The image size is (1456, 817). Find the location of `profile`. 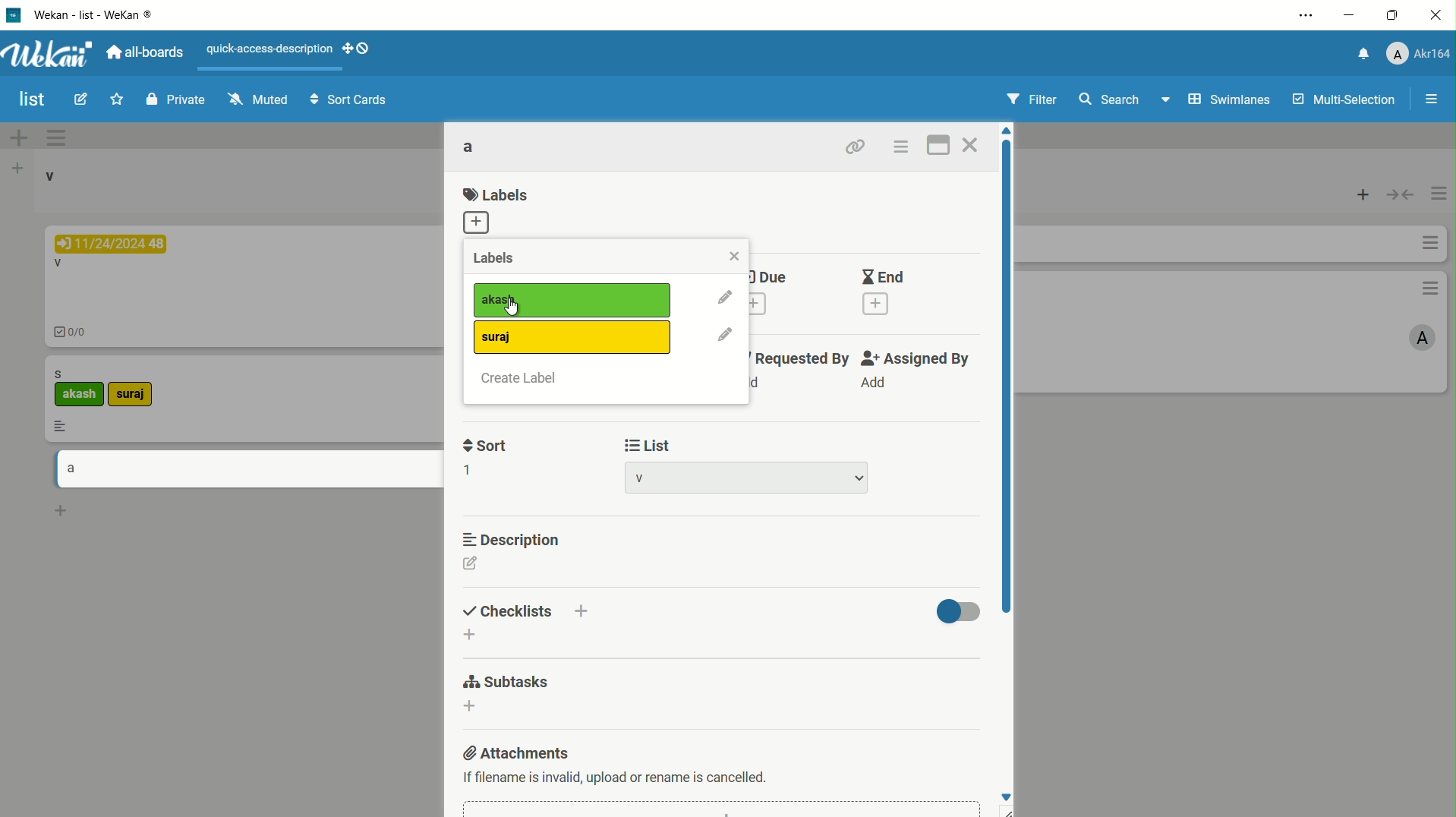

profile is located at coordinates (1419, 54).